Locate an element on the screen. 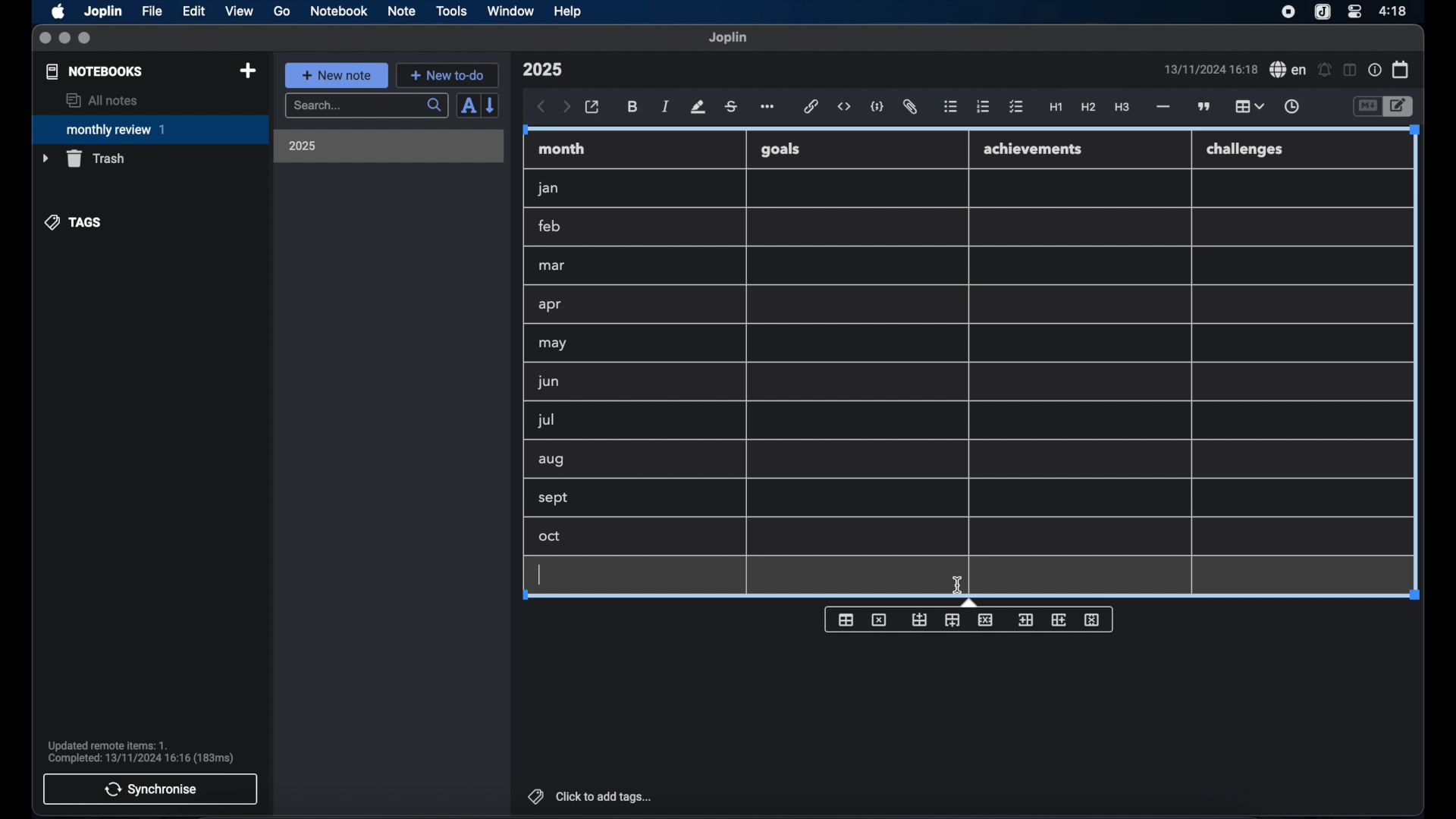 The height and width of the screenshot is (819, 1456). note title is located at coordinates (542, 70).